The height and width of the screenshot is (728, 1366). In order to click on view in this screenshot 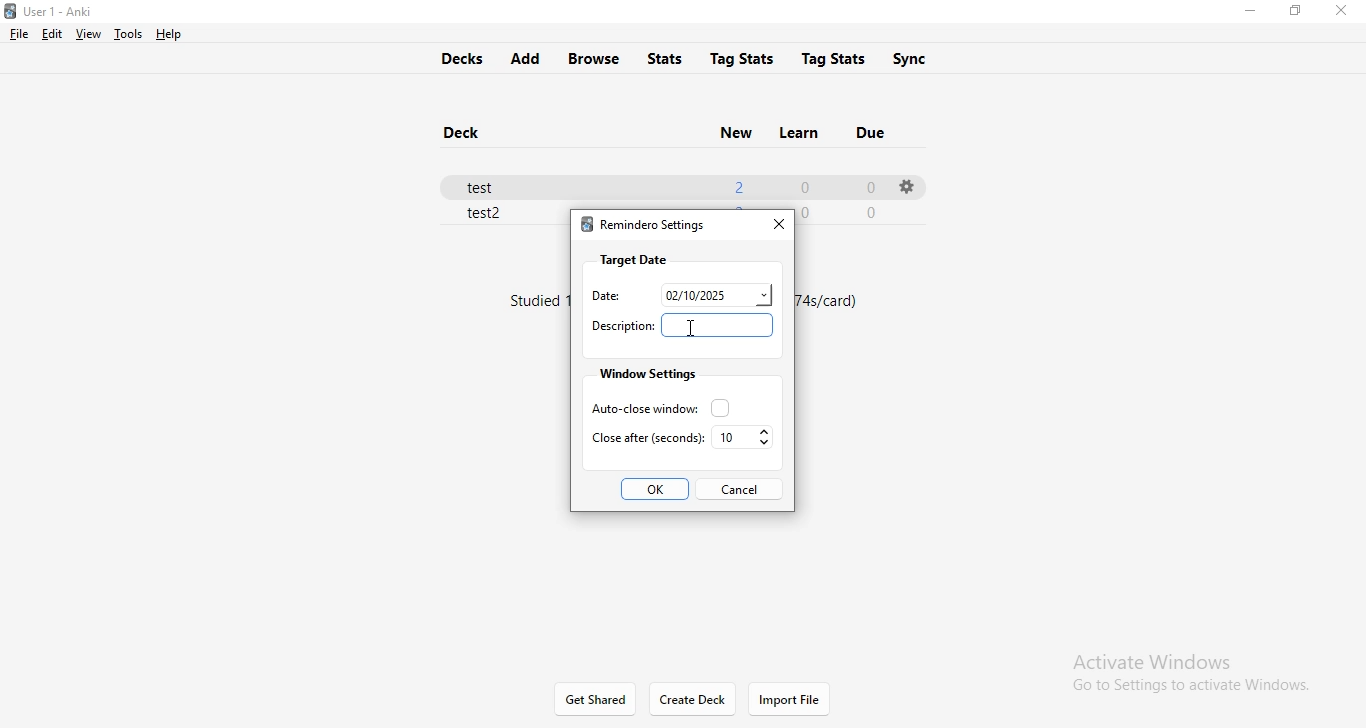, I will do `click(86, 34)`.